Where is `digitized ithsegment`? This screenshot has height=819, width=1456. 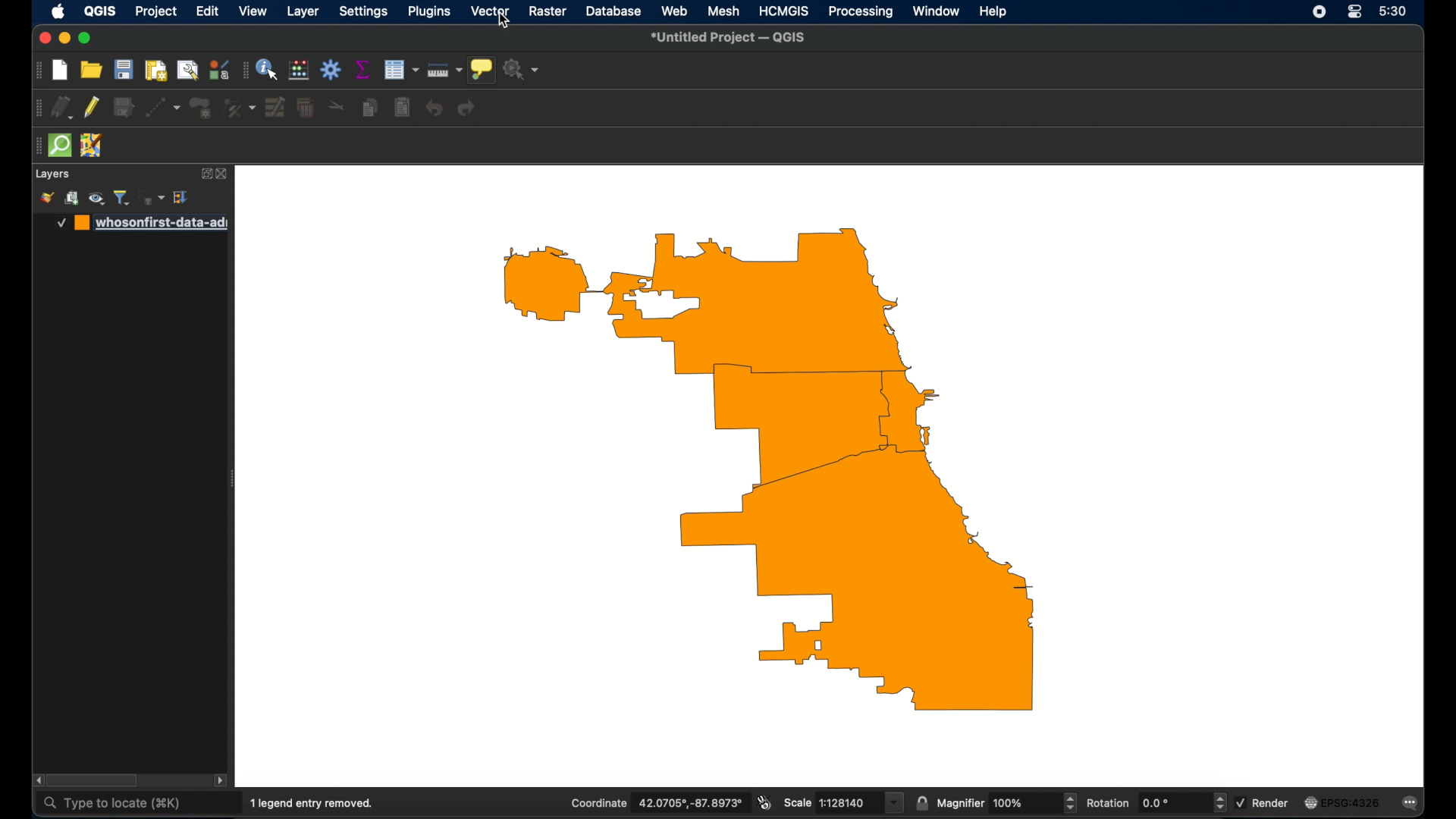
digitized ithsegment is located at coordinates (162, 107).